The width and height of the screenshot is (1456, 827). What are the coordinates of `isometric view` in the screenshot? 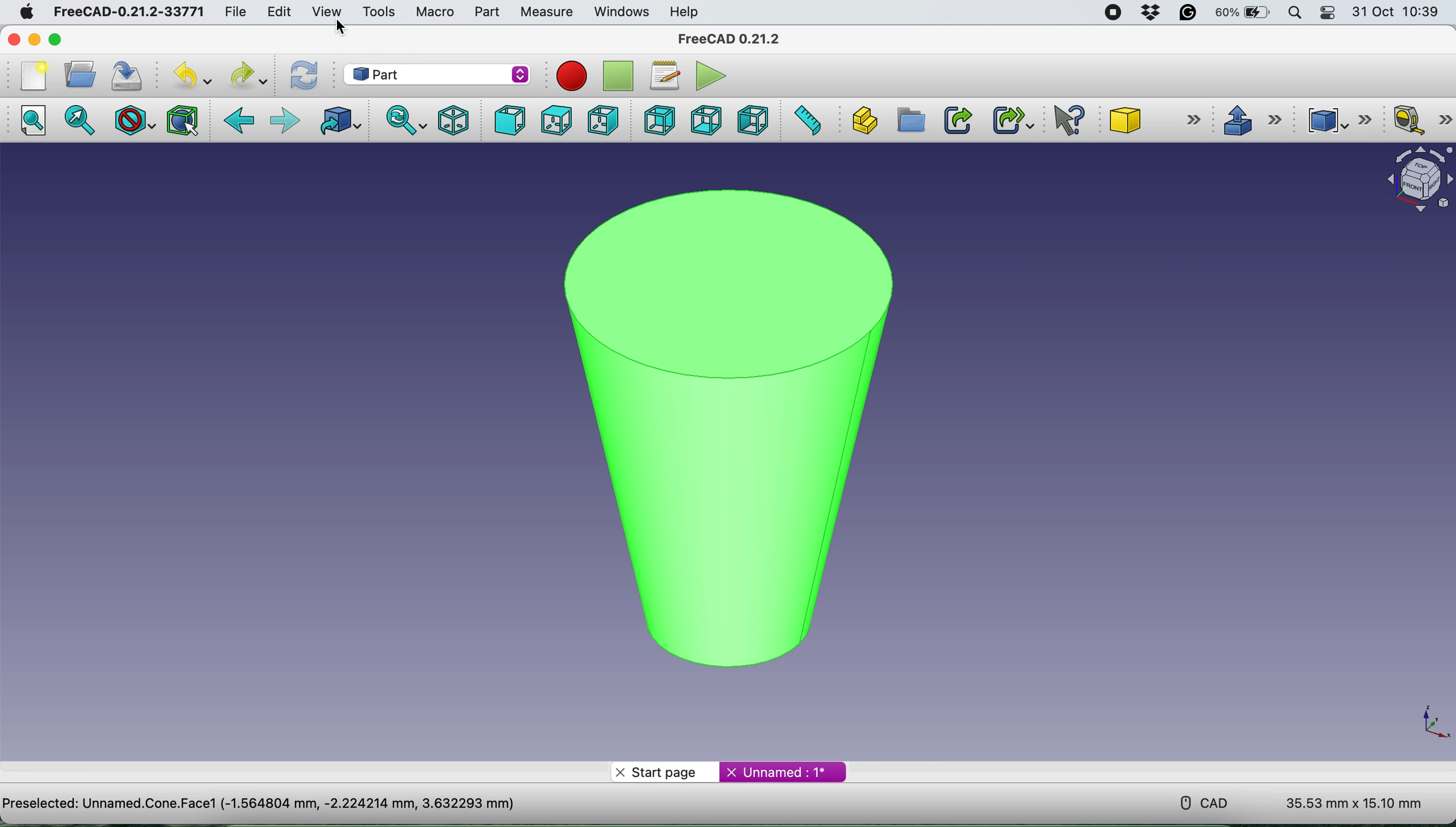 It's located at (455, 119).